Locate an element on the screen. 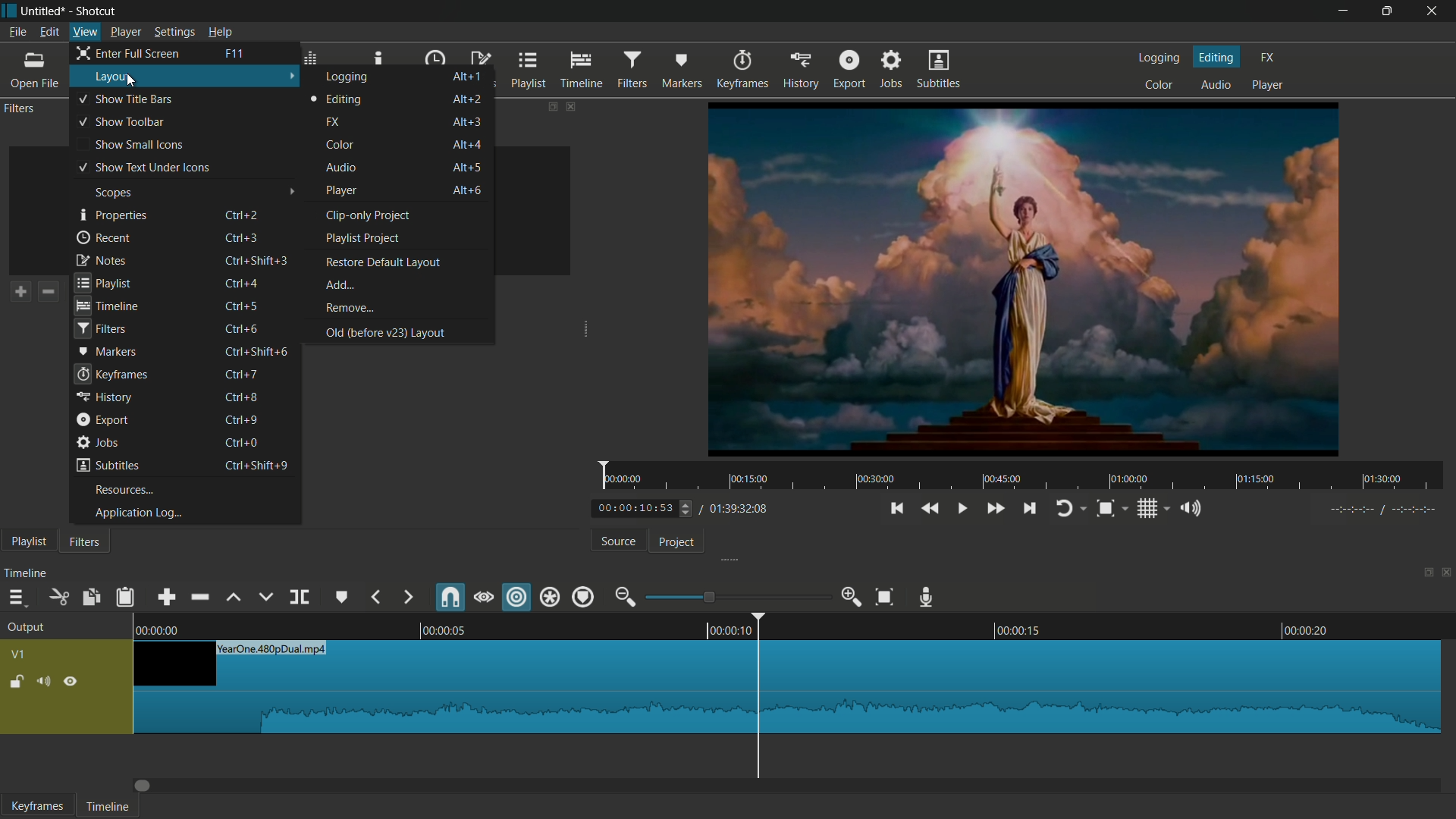 This screenshot has width=1456, height=819. move forward is located at coordinates (144, 786).